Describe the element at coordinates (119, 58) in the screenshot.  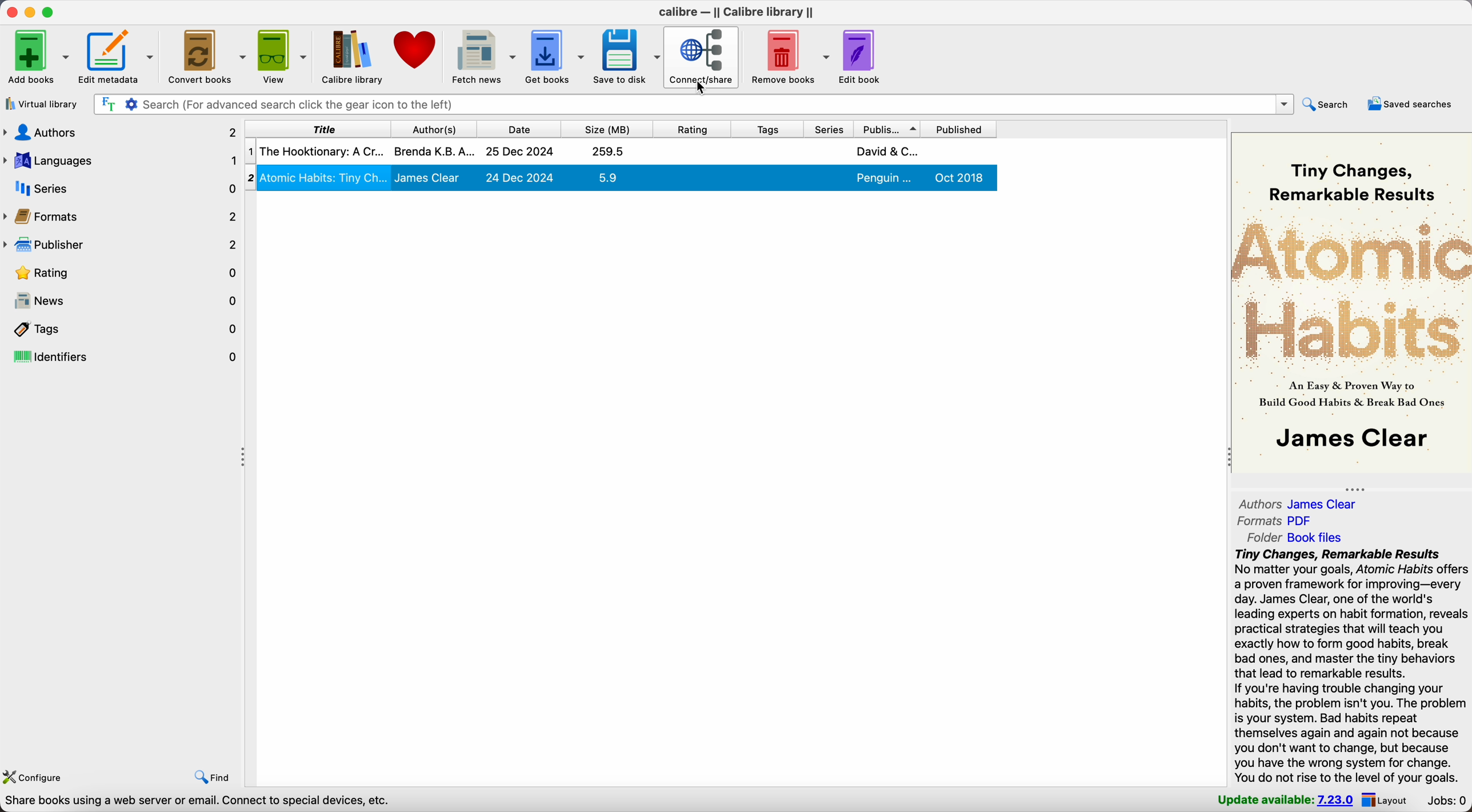
I see `edit metadata` at that location.